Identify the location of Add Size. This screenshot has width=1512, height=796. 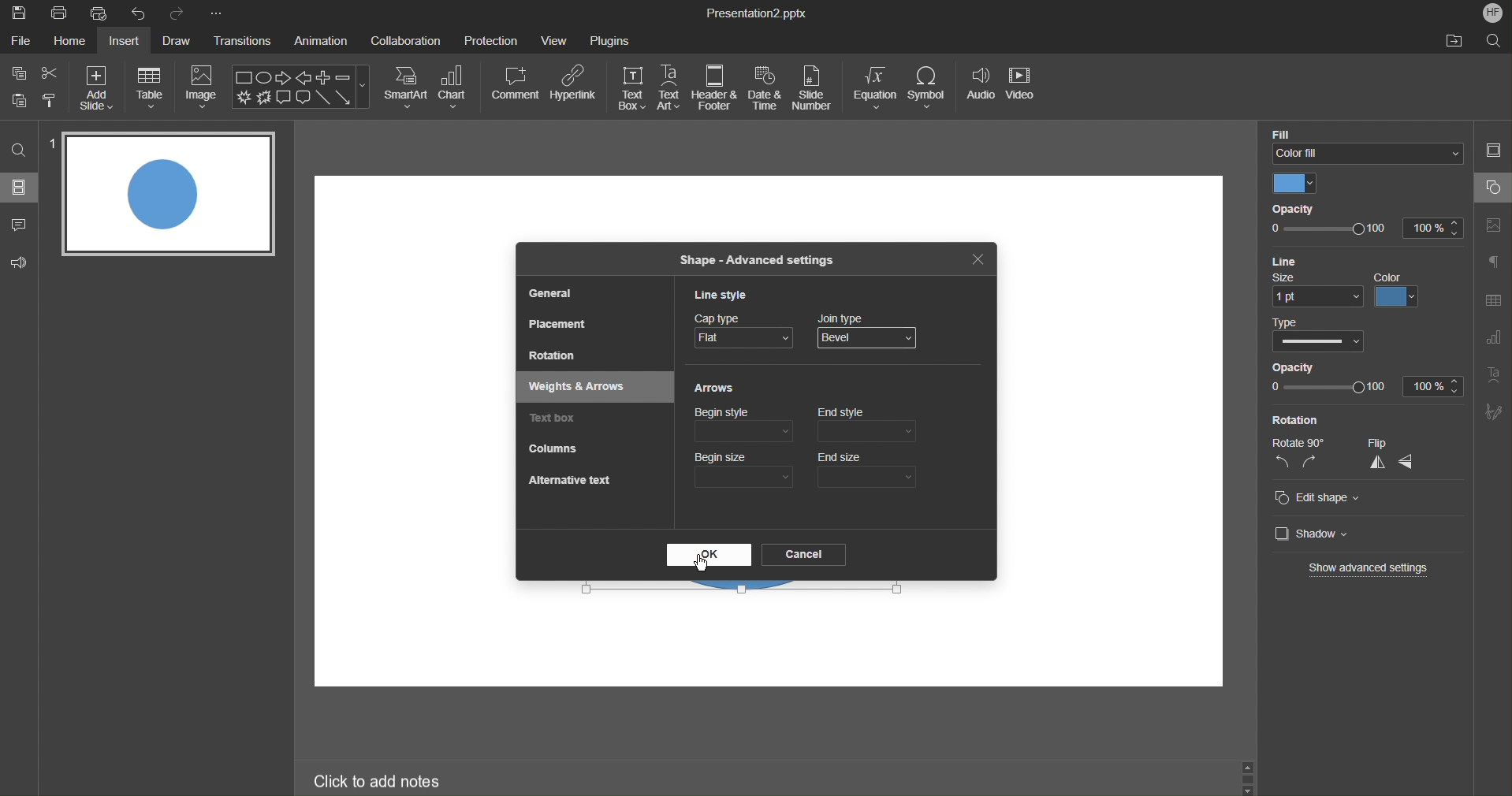
(96, 87).